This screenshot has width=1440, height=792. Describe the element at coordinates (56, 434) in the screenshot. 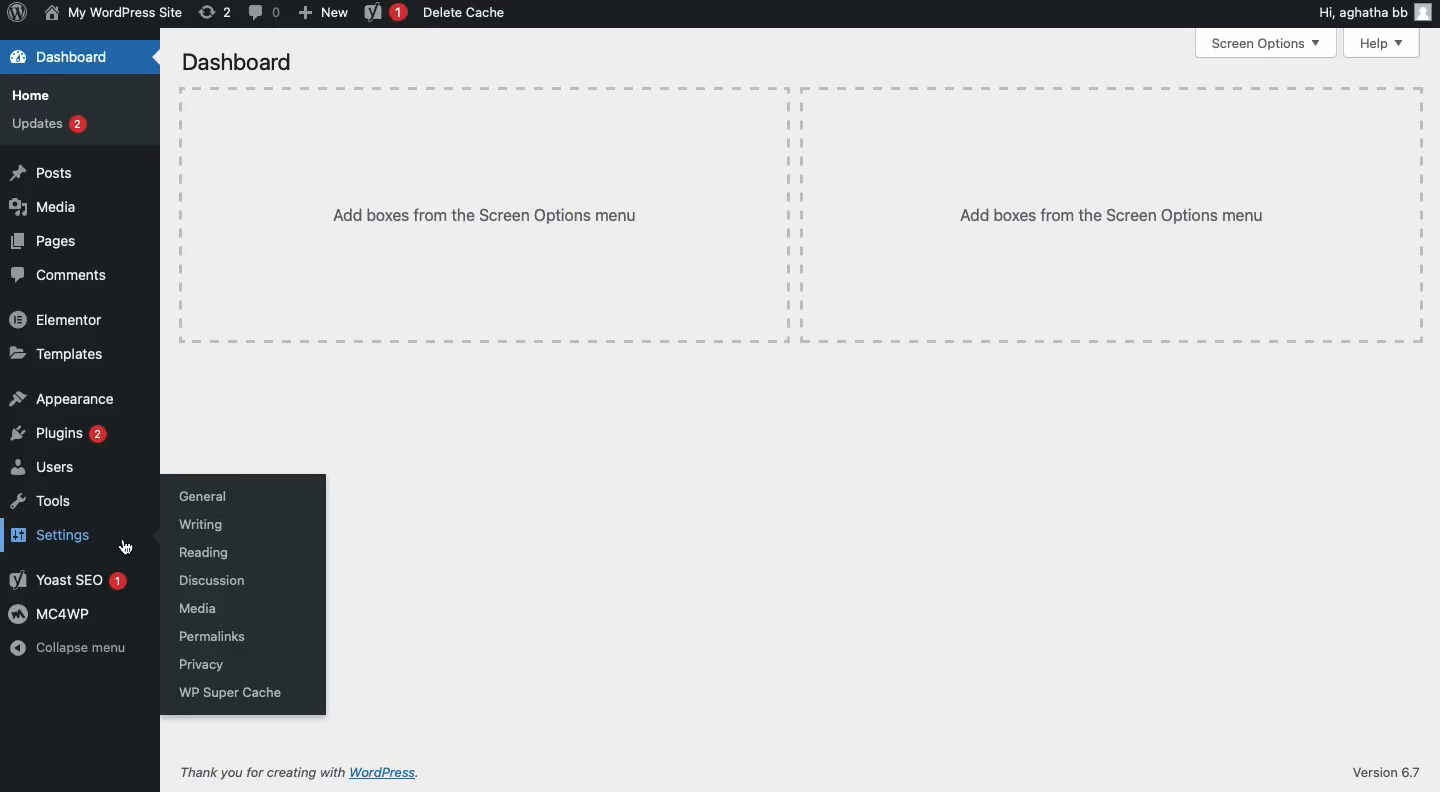

I see `Plugins` at that location.